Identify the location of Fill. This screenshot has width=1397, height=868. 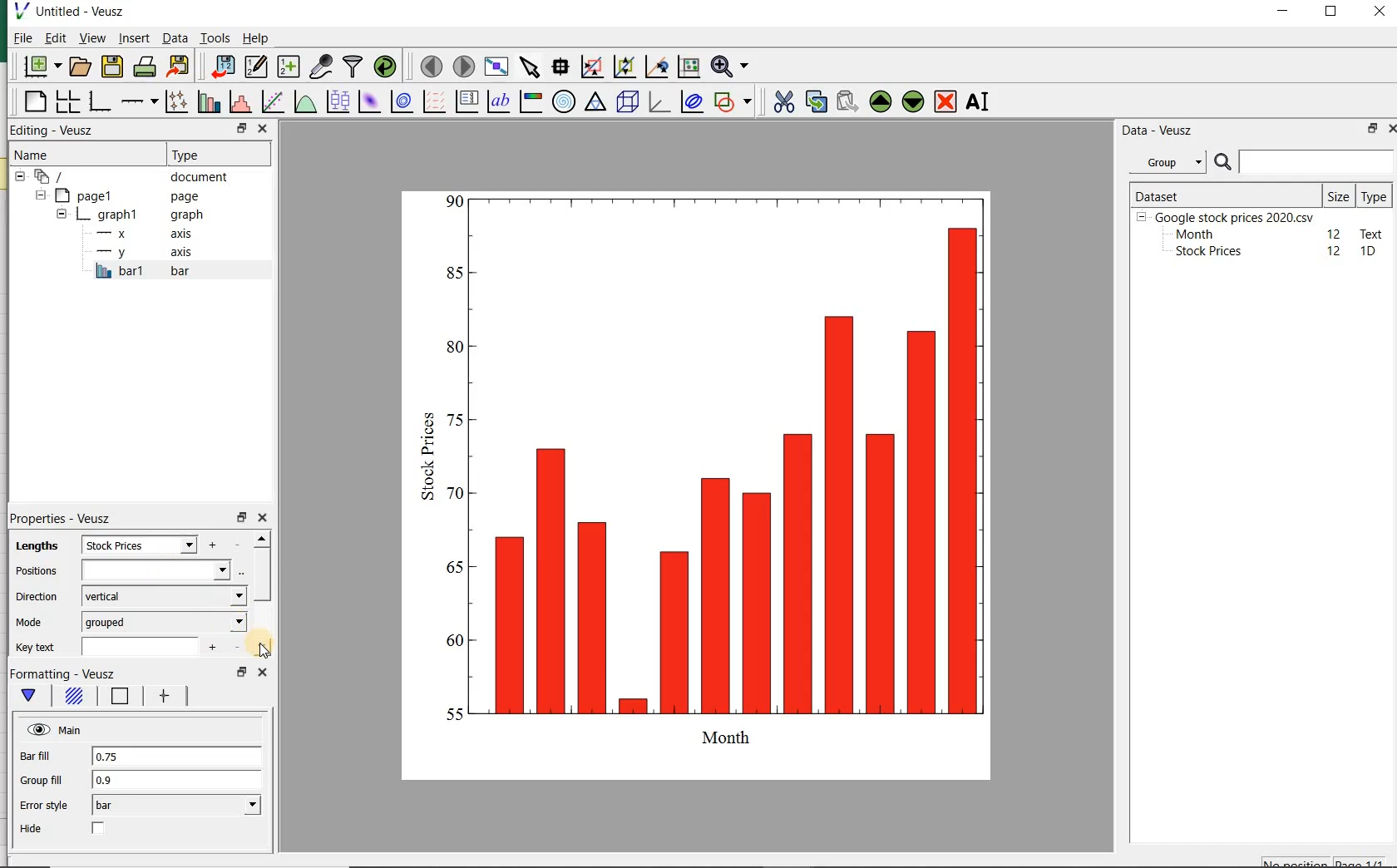
(76, 697).